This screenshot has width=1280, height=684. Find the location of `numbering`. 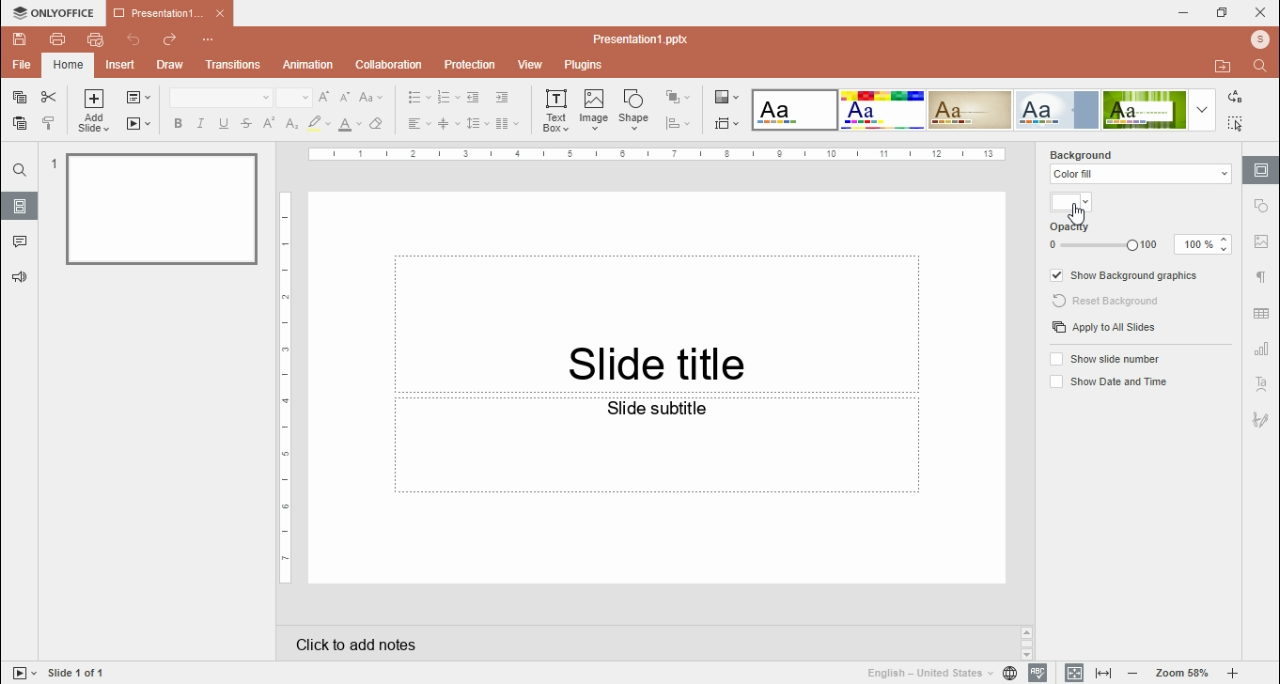

numbering is located at coordinates (448, 97).